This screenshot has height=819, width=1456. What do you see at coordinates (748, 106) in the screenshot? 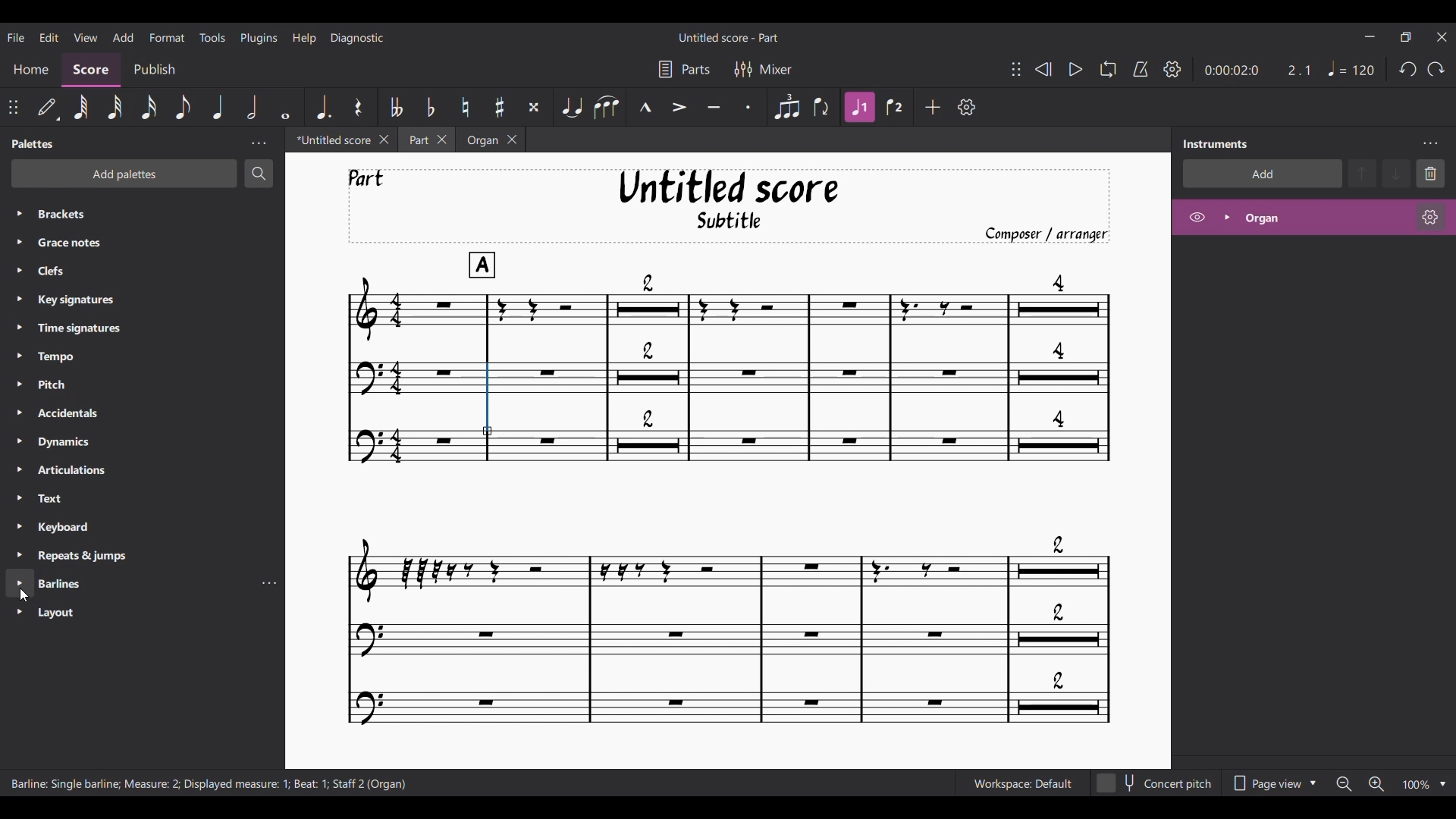
I see `Staccato` at bounding box center [748, 106].